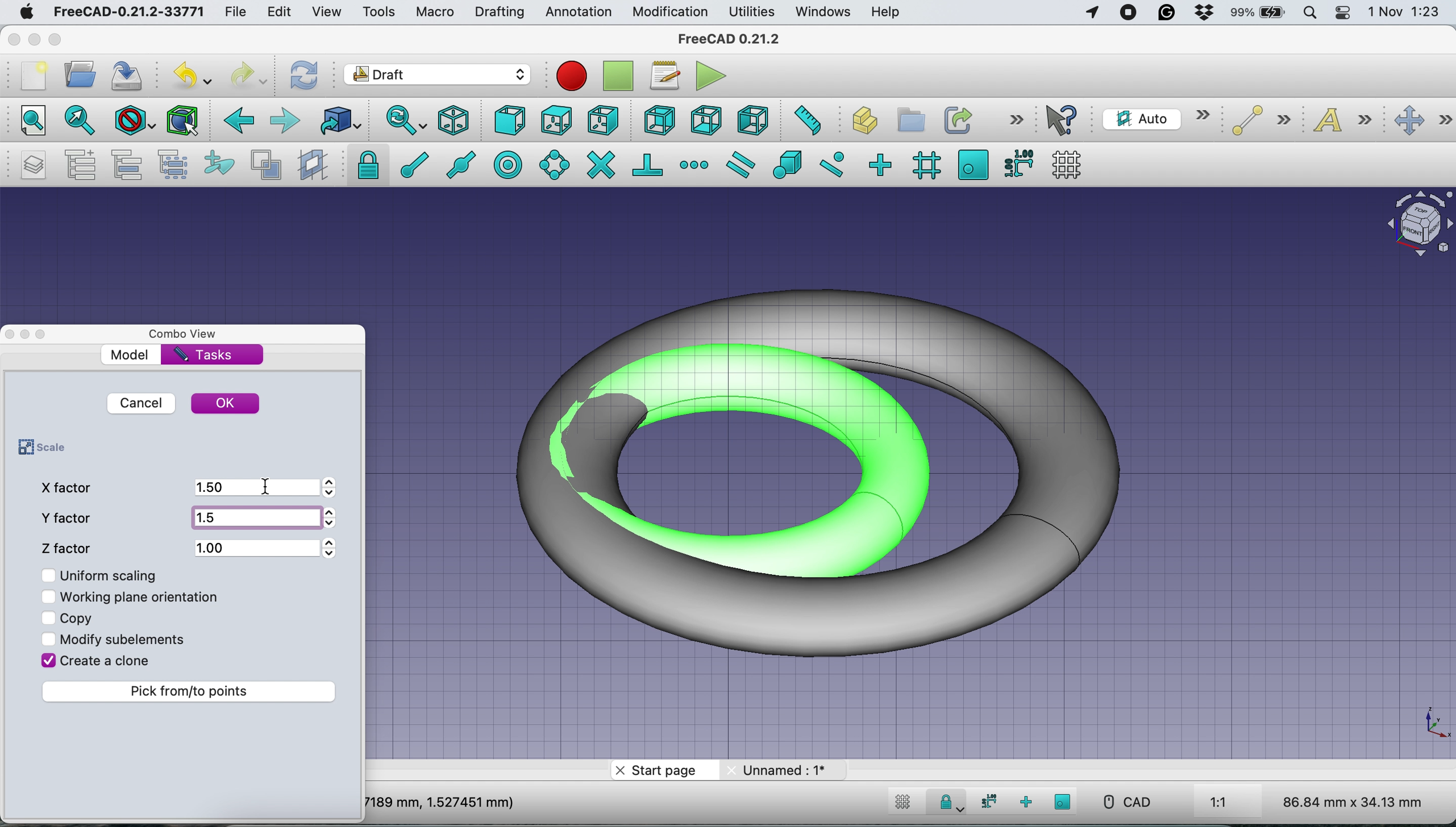  What do you see at coordinates (1422, 121) in the screenshot?
I see `move` at bounding box center [1422, 121].